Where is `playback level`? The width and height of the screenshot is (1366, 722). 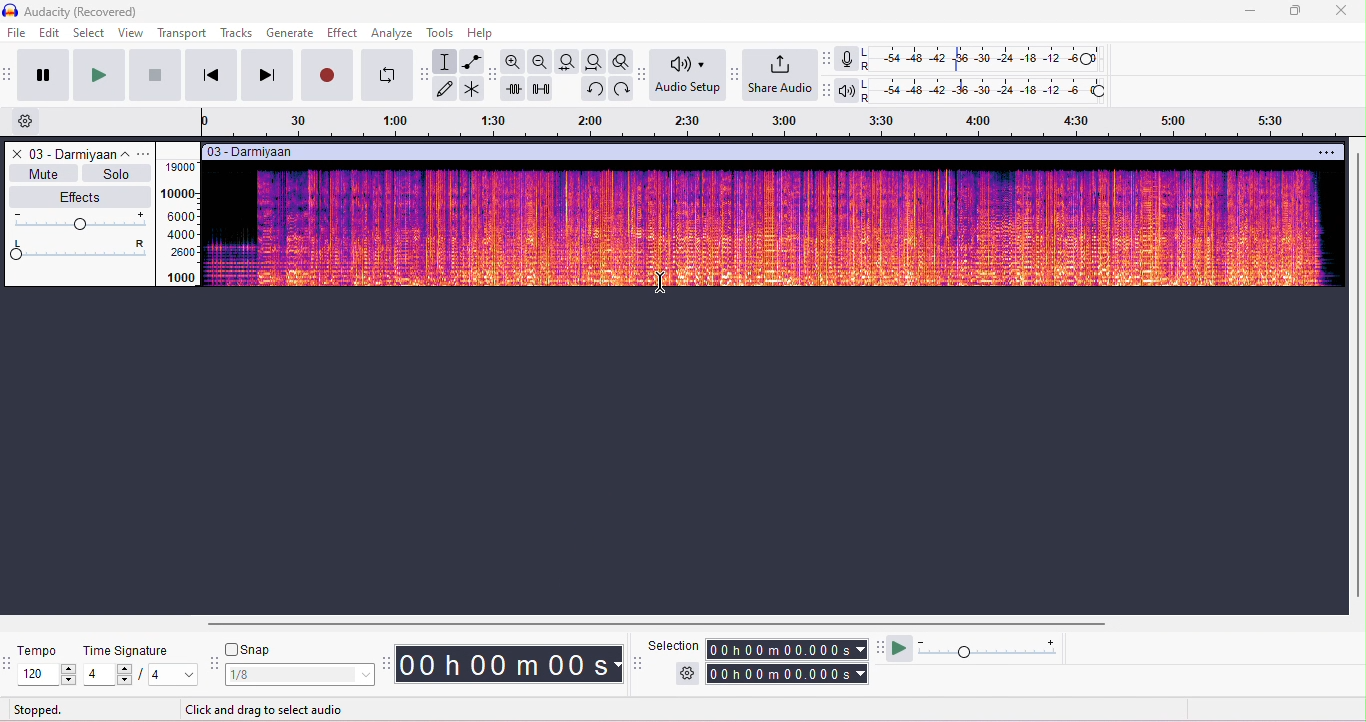
playback level is located at coordinates (986, 89).